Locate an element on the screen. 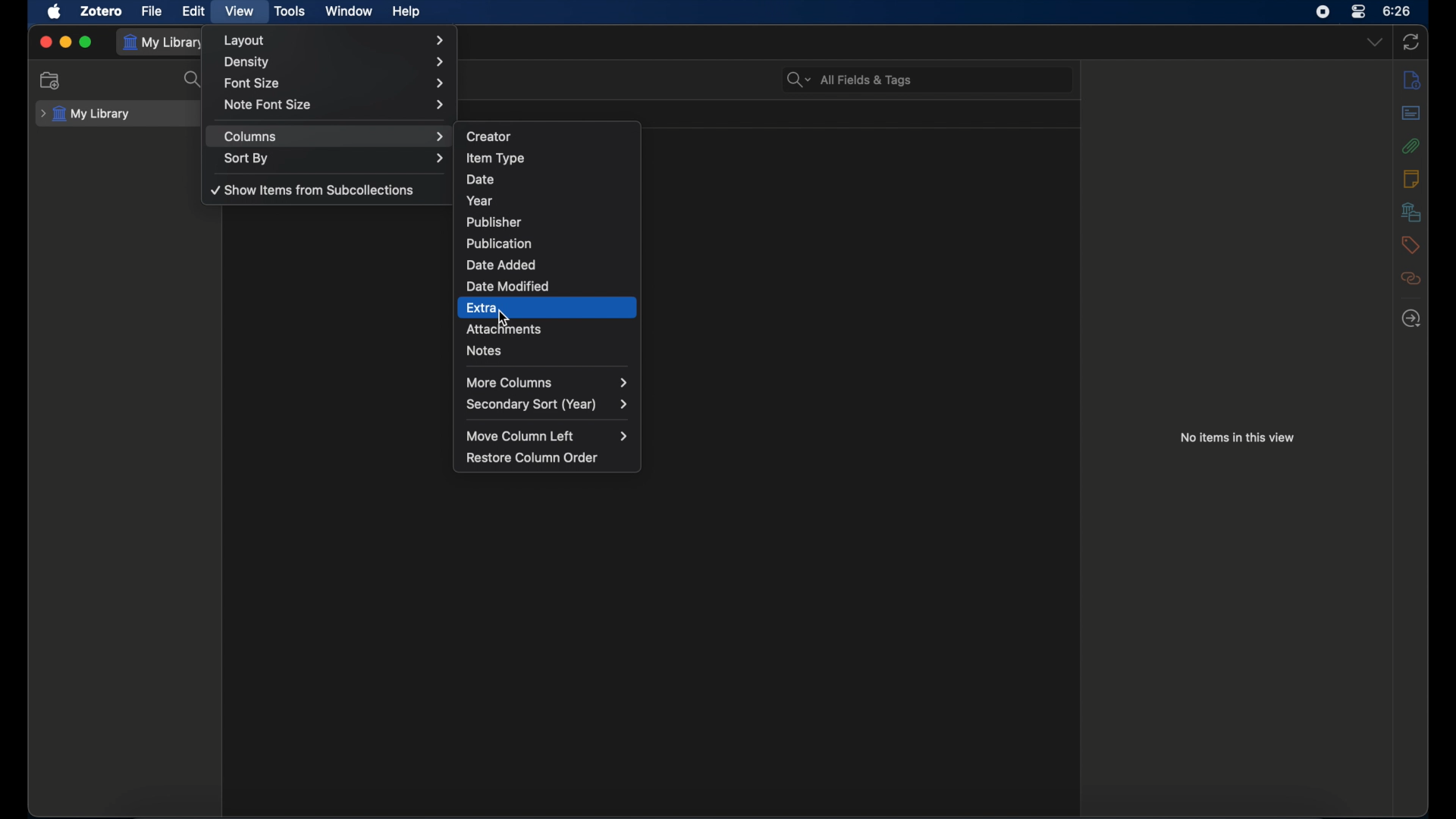  search is located at coordinates (193, 80).